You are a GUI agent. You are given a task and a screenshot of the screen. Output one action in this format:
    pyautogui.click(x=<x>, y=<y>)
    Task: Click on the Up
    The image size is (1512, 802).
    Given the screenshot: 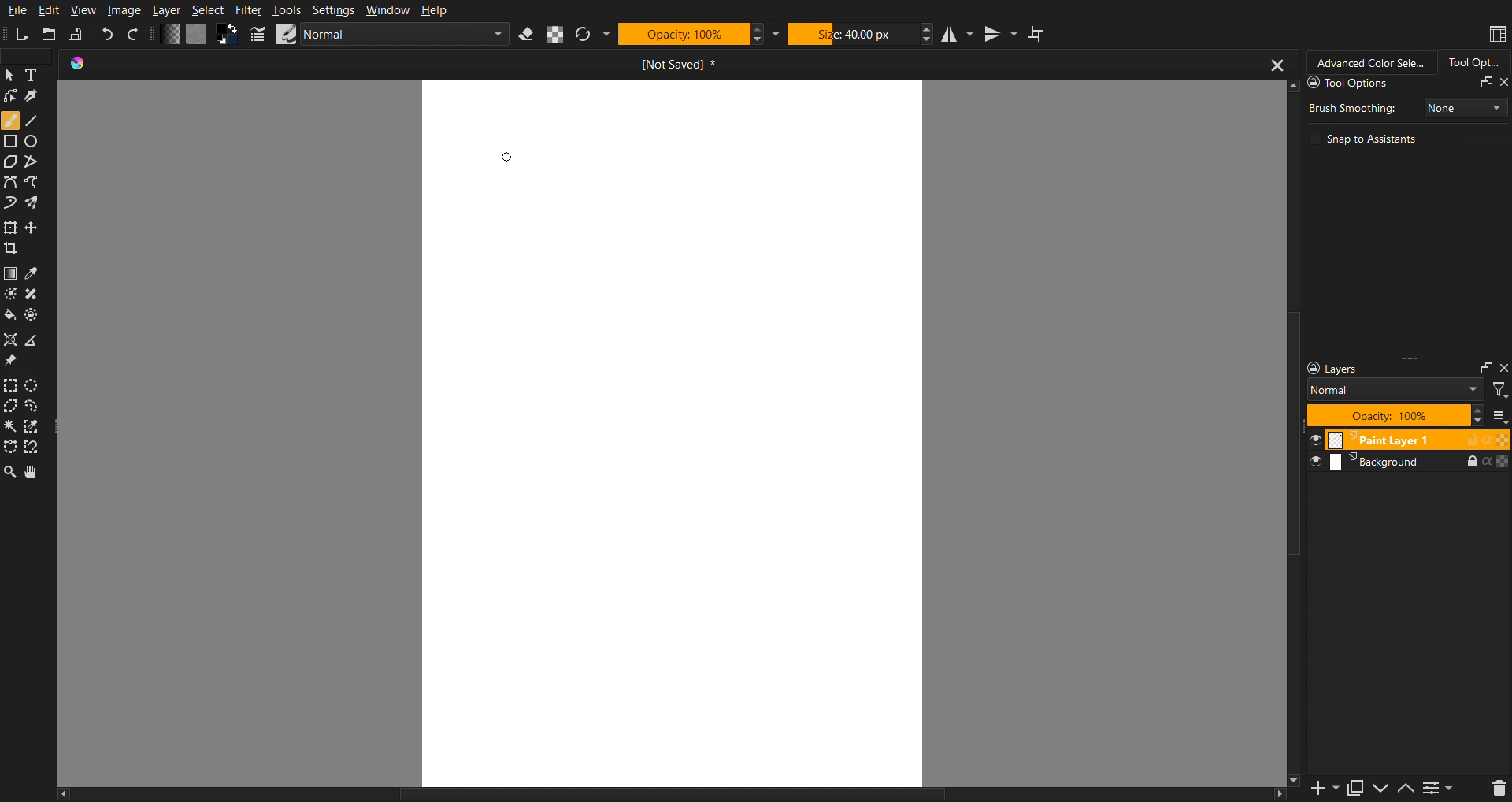 What is the action you would take?
    pyautogui.click(x=1406, y=789)
    